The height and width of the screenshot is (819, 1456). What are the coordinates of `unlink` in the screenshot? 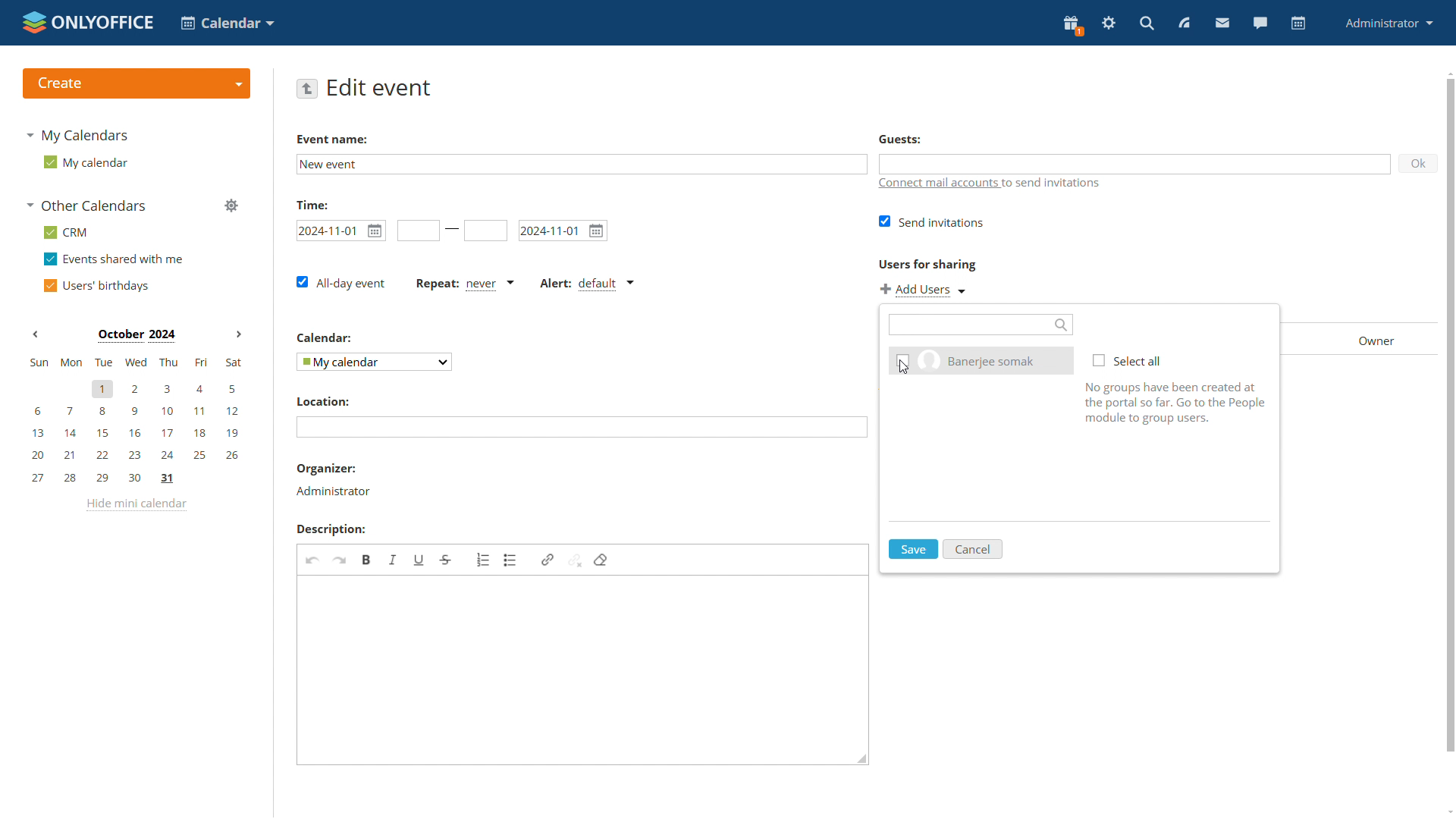 It's located at (574, 560).